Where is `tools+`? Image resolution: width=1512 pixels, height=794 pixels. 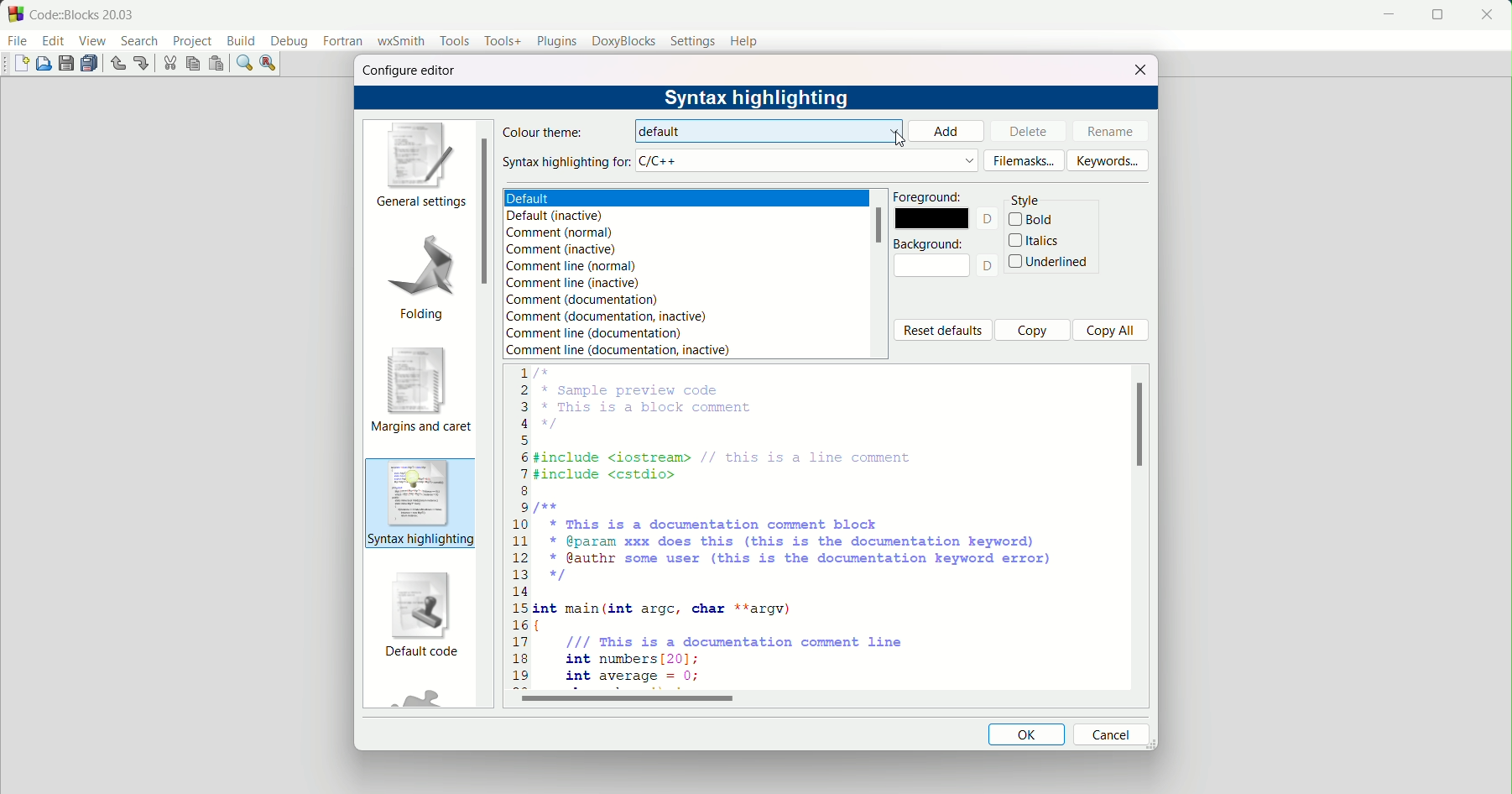
tools+ is located at coordinates (500, 42).